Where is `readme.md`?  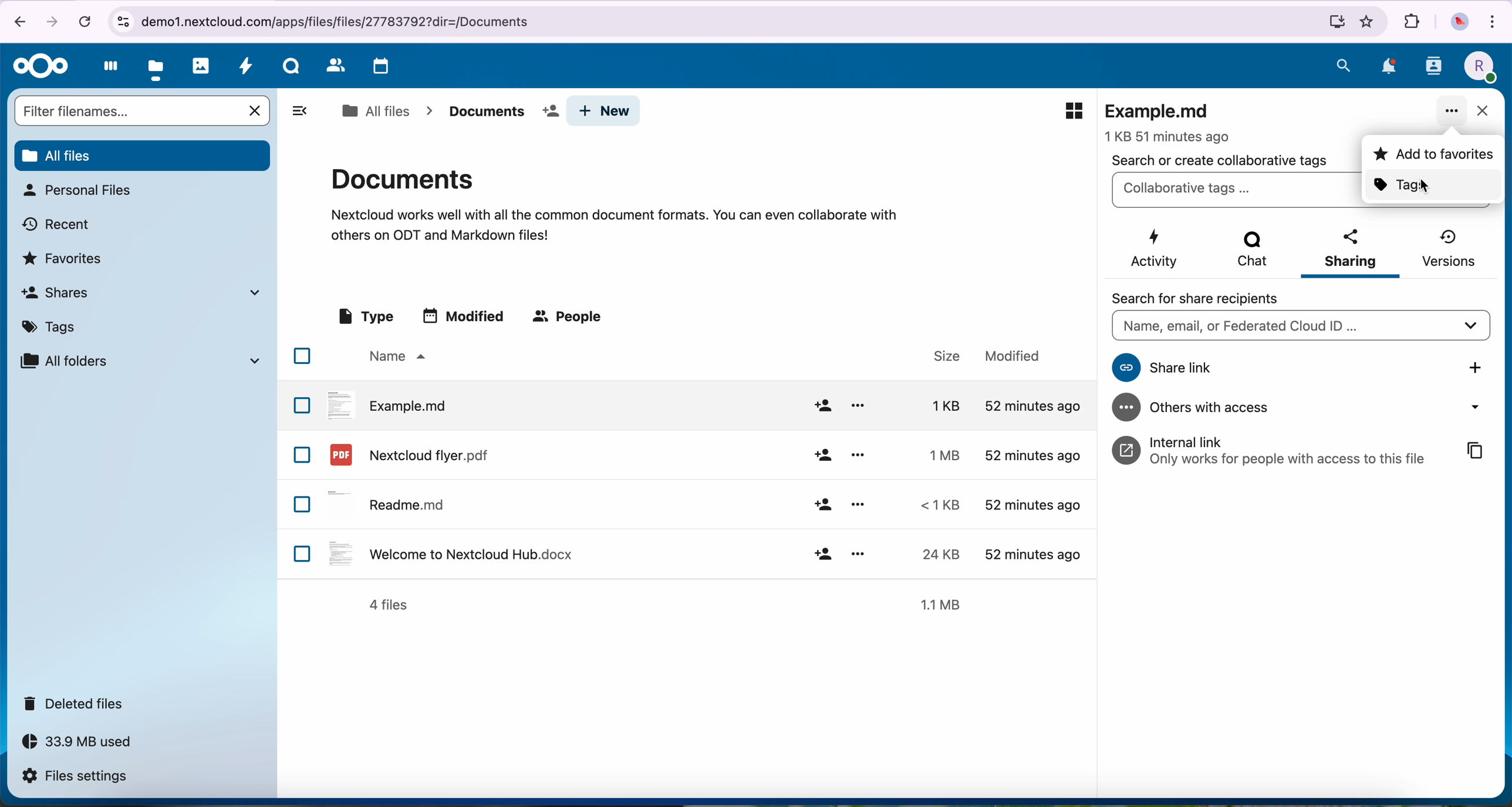 readme.md is located at coordinates (390, 502).